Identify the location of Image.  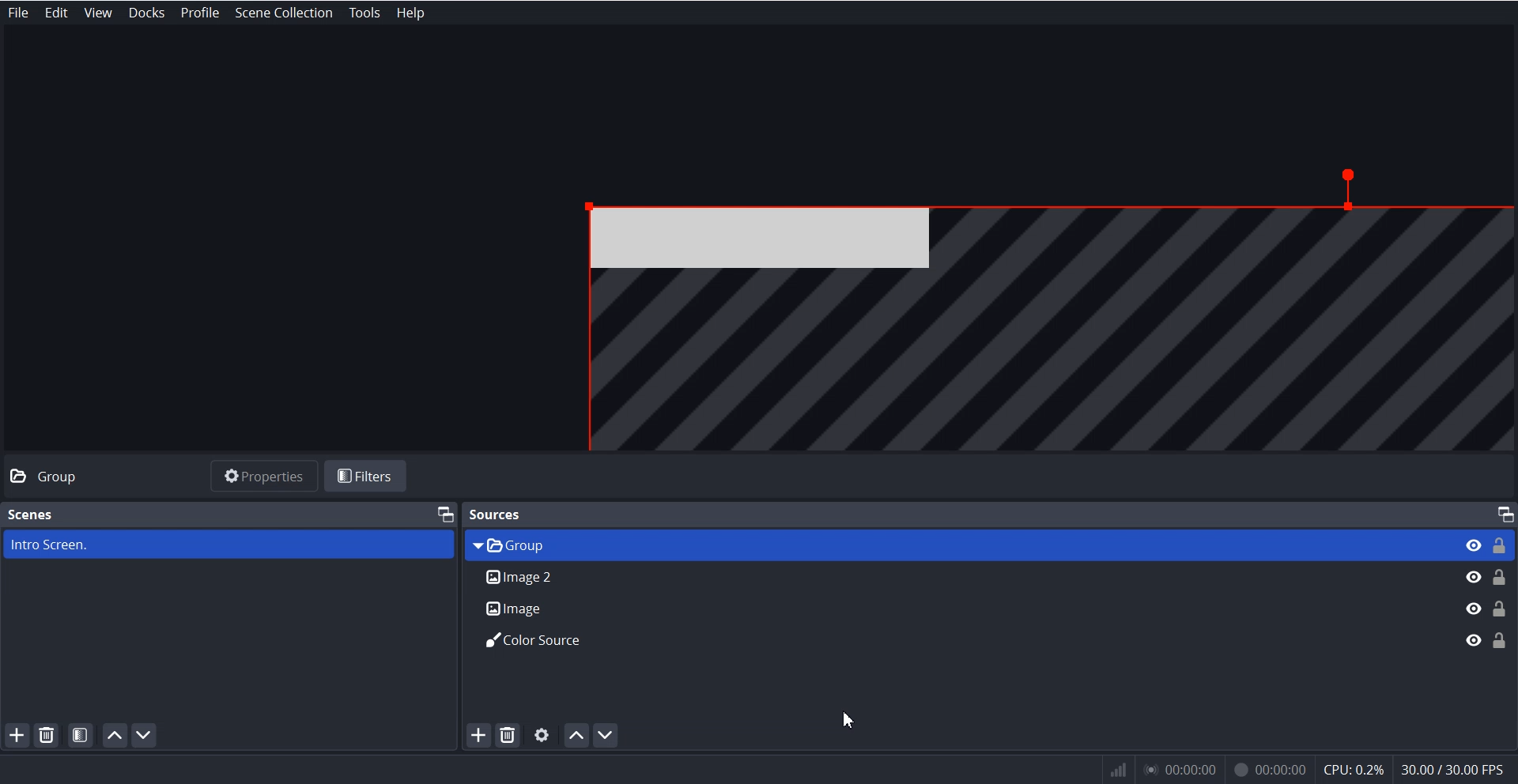
(957, 609).